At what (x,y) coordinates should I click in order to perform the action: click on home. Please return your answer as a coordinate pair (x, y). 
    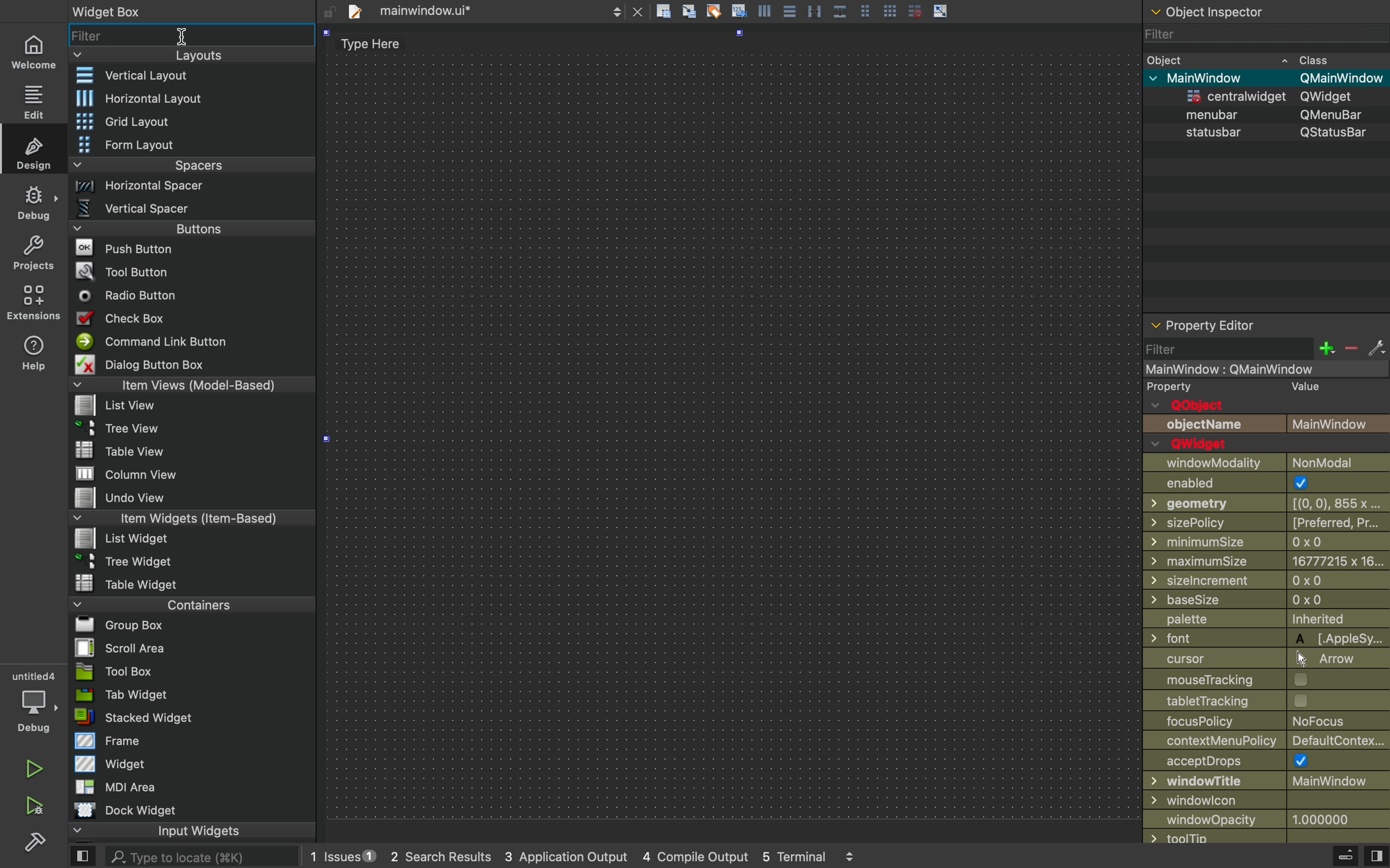
    Looking at the image, I should click on (34, 49).